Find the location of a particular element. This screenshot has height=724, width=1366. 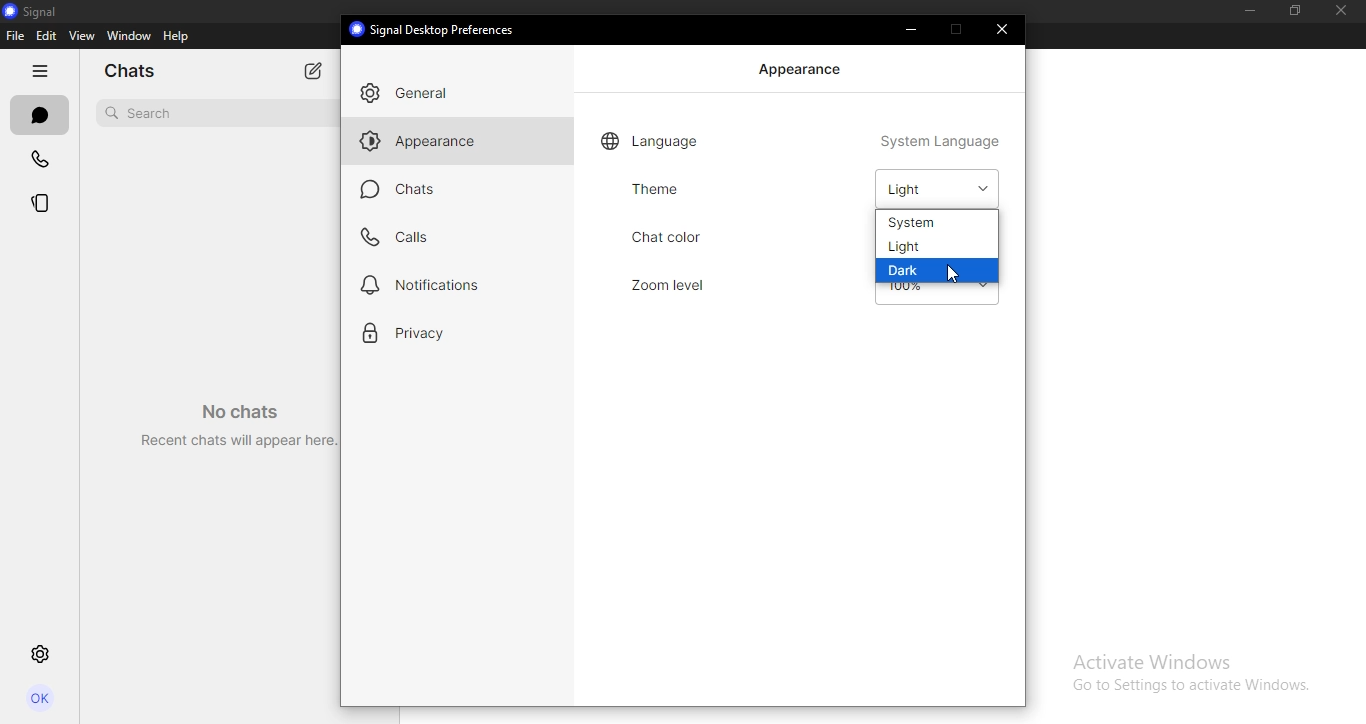

privacy is located at coordinates (424, 333).